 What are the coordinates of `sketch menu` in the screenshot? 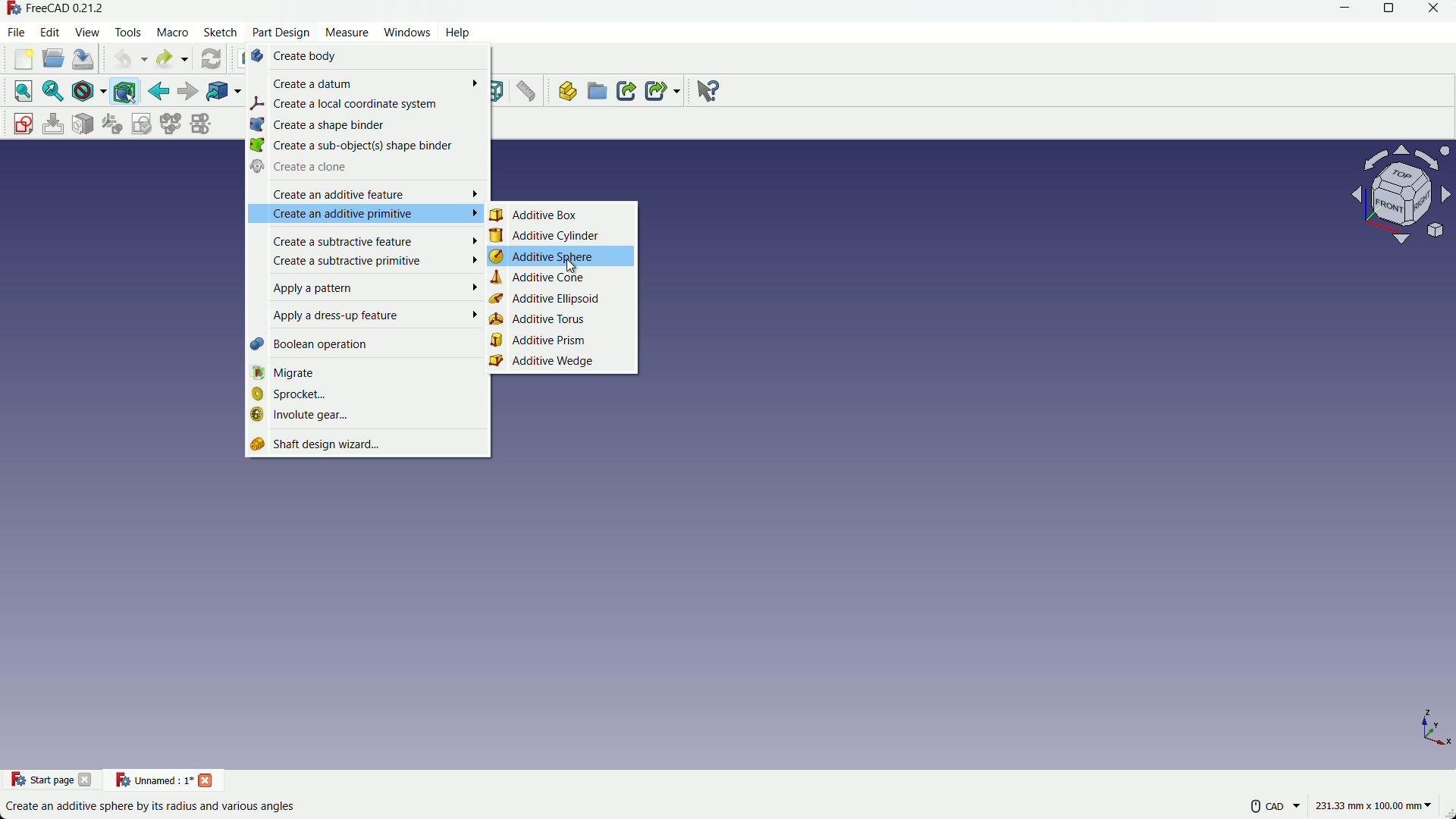 It's located at (220, 33).